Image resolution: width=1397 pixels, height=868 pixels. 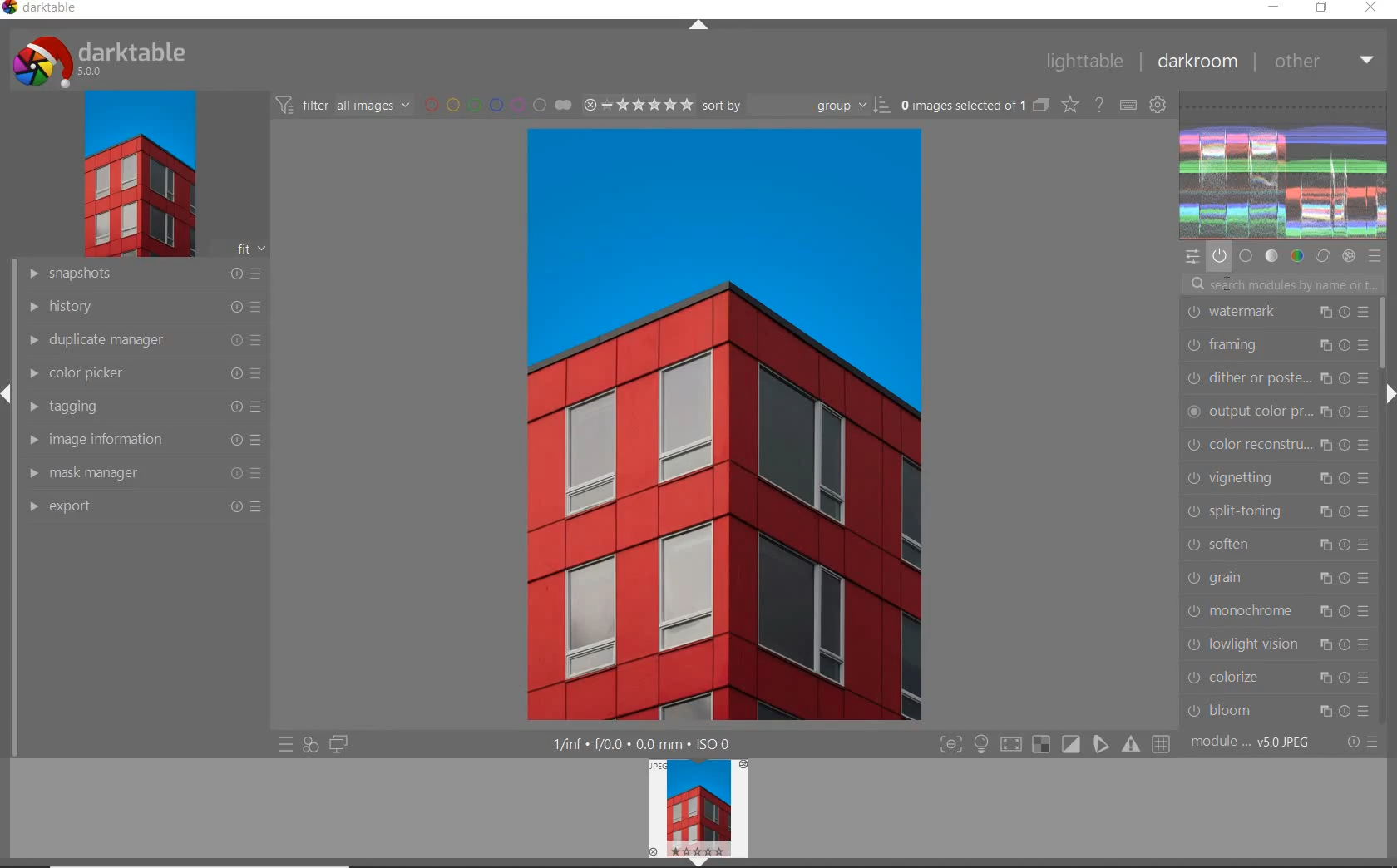 I want to click on expand/collapse, so click(x=698, y=24).